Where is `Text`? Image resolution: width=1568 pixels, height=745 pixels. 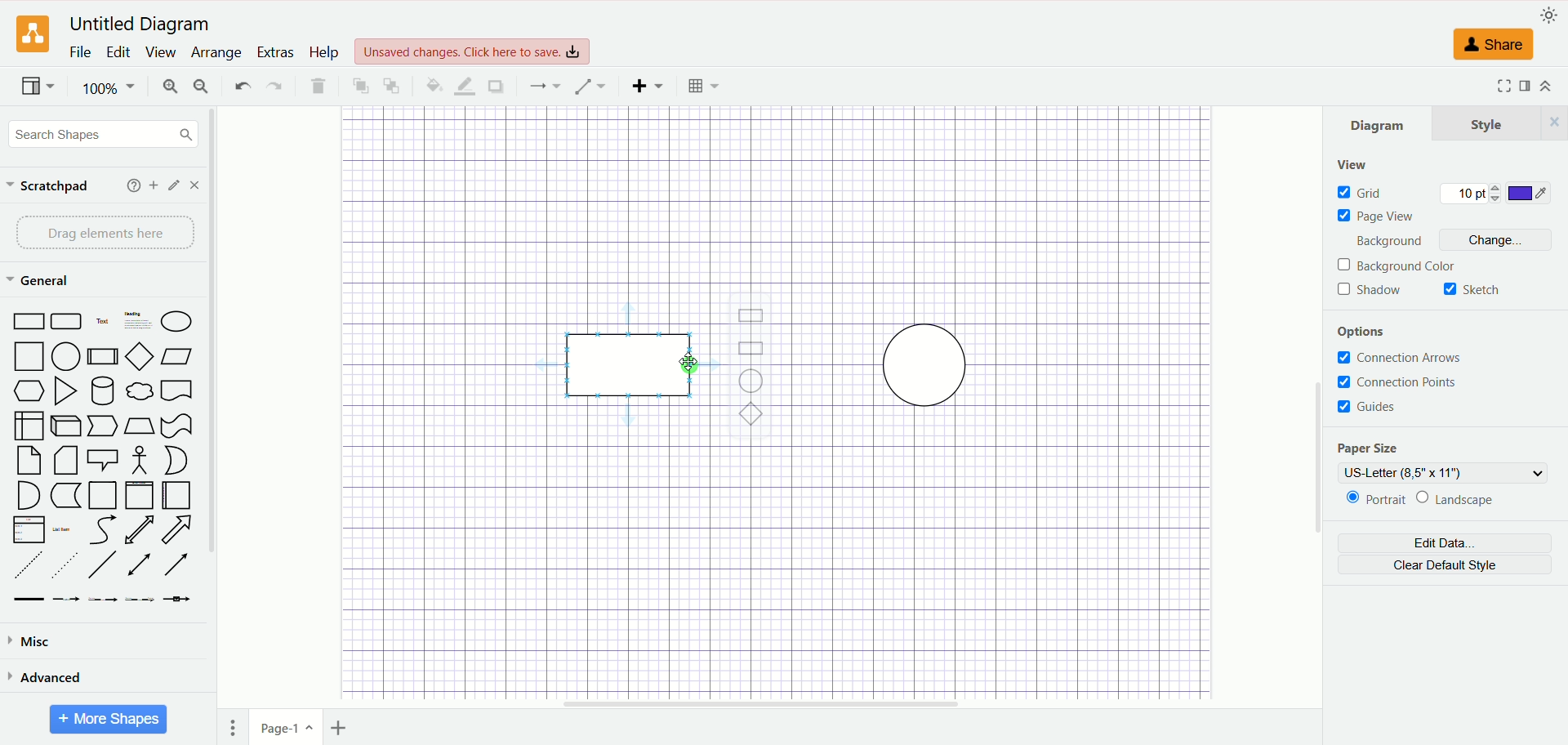
Text is located at coordinates (102, 321).